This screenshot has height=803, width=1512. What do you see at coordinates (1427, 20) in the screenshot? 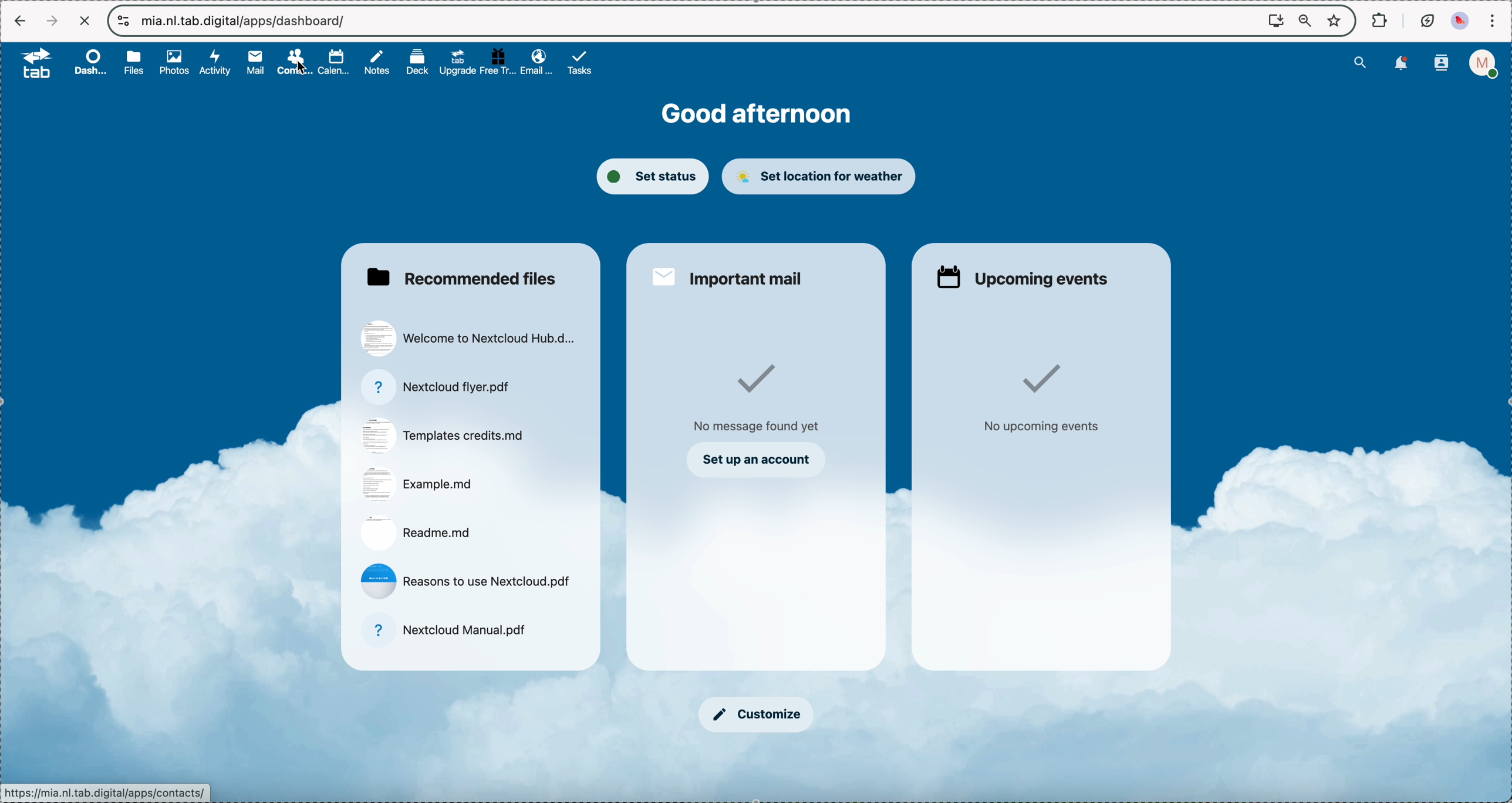
I see `battery eco` at bounding box center [1427, 20].